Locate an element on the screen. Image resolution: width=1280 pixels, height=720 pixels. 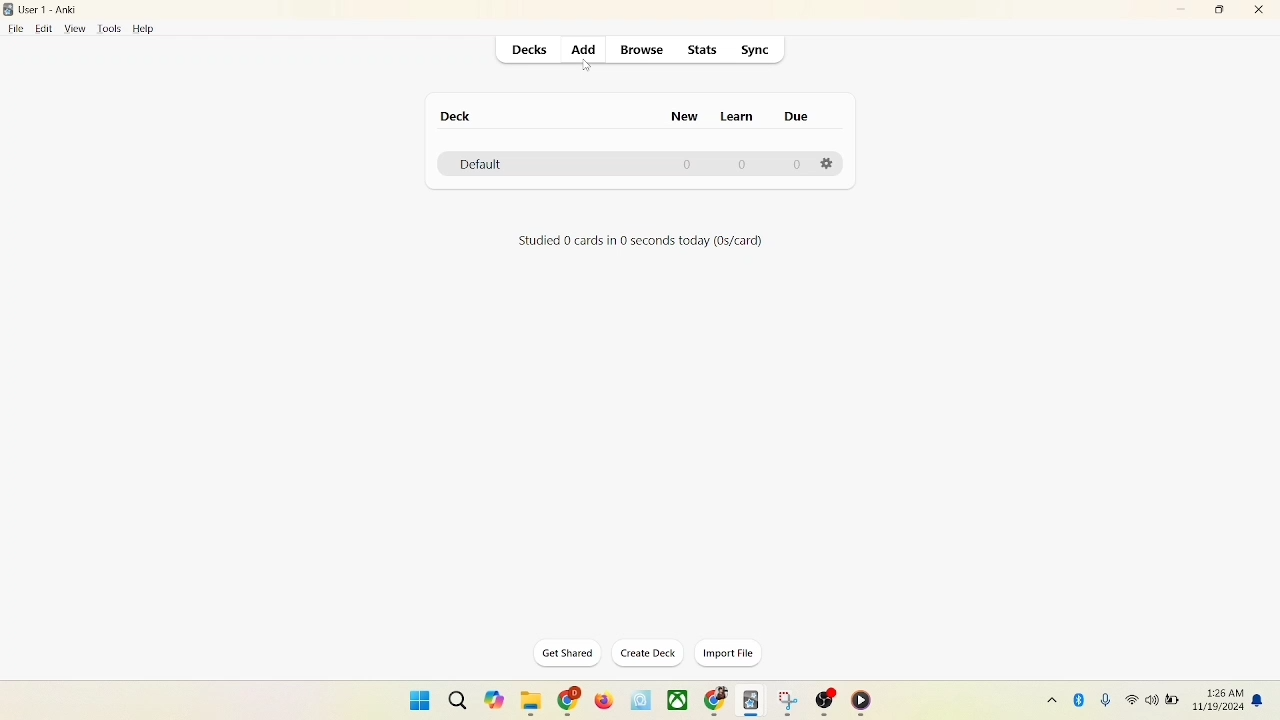
Options is located at coordinates (829, 165).